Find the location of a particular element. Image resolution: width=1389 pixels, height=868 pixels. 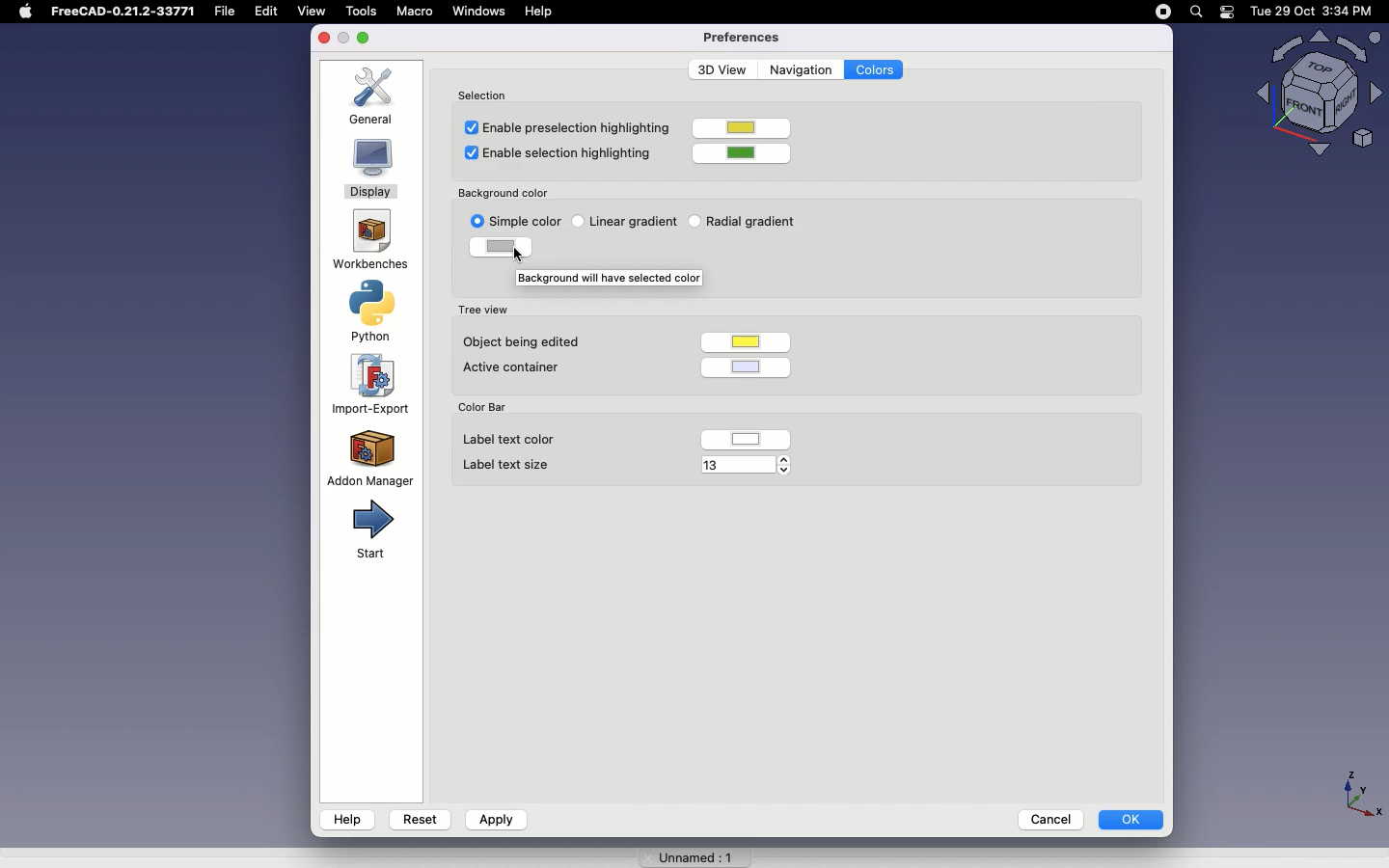

‘Background color is located at coordinates (504, 190).